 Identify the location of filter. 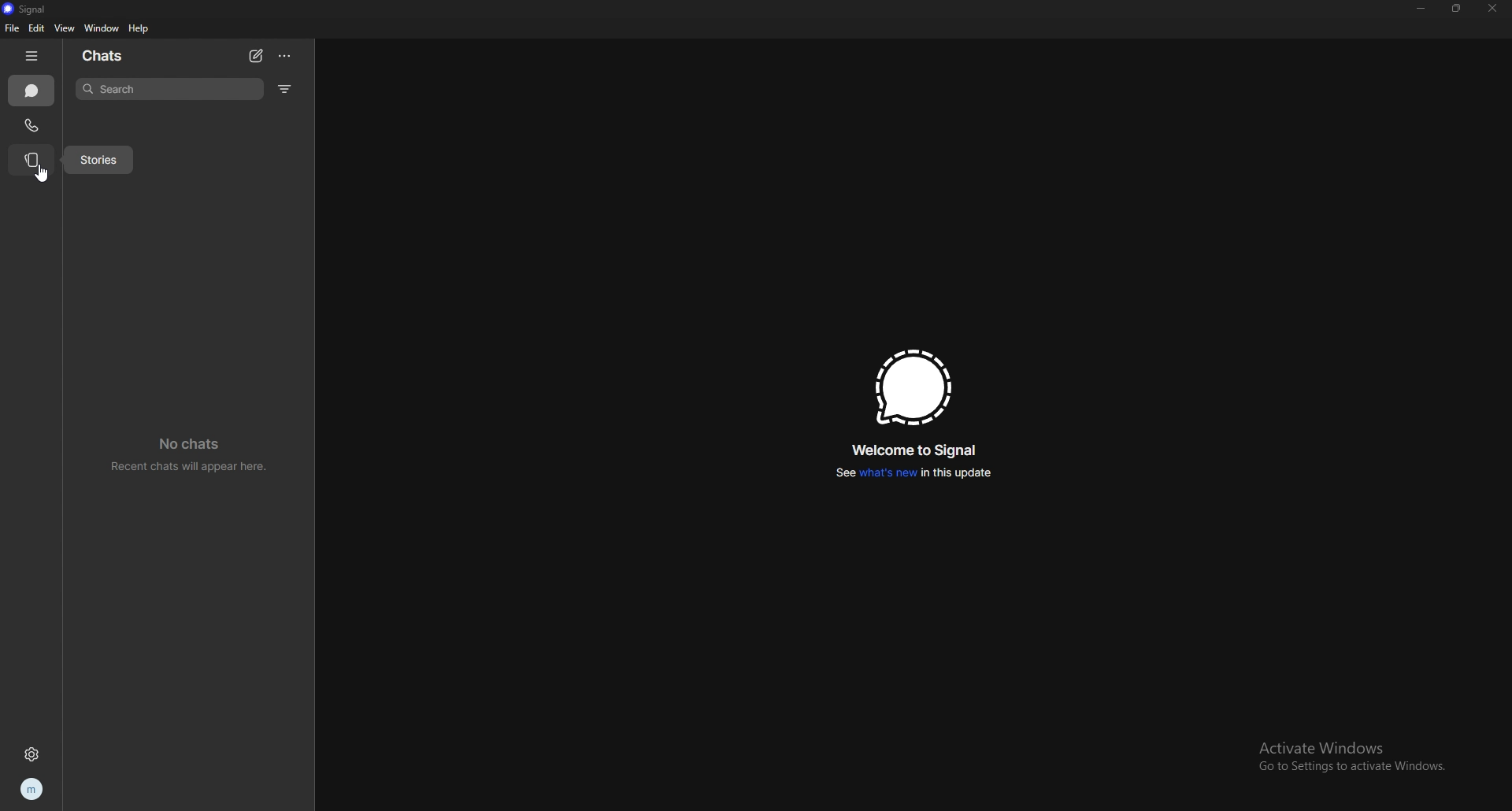
(287, 89).